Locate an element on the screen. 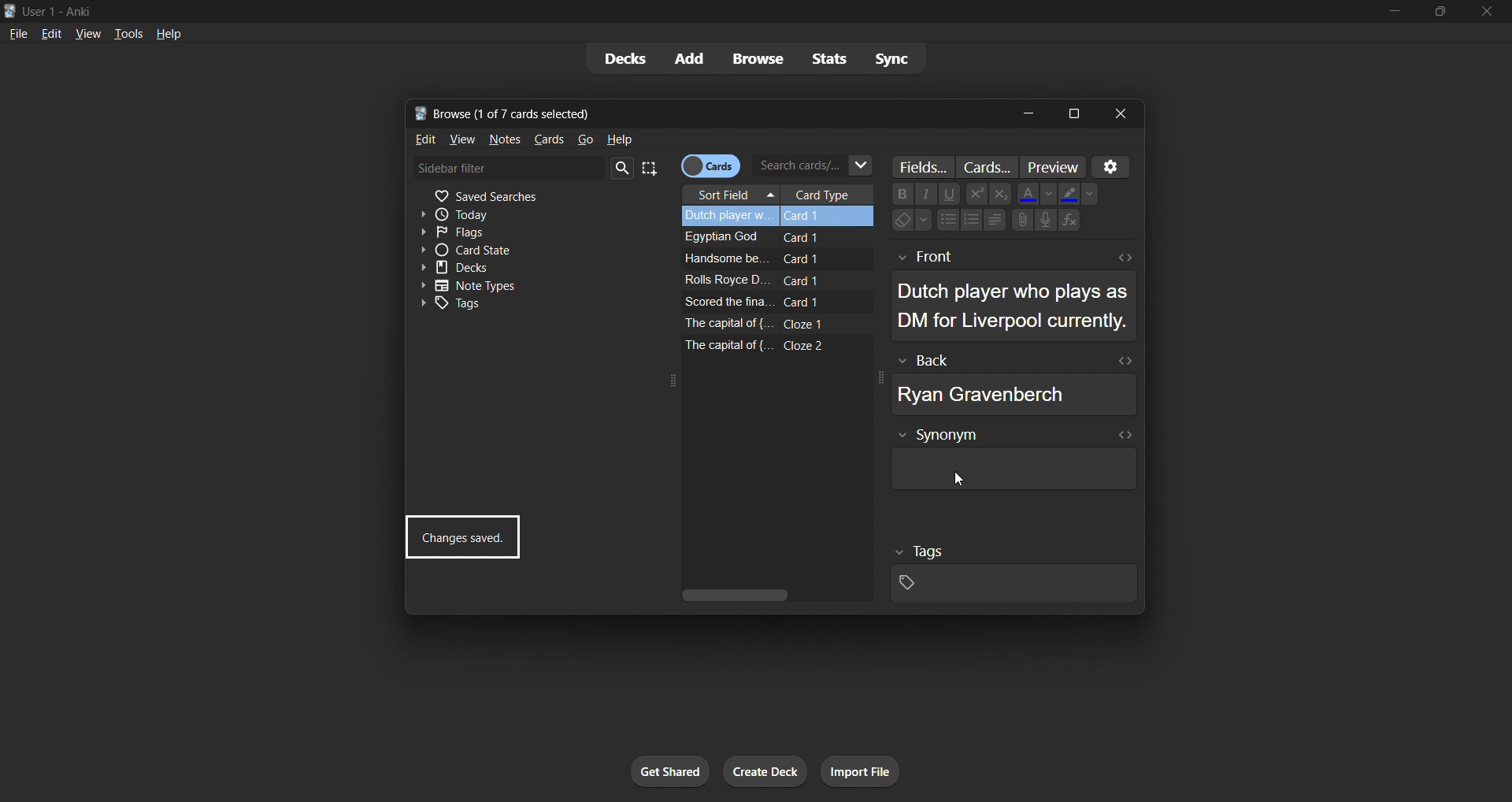 This screenshot has height=802, width=1512. status update is located at coordinates (462, 537).